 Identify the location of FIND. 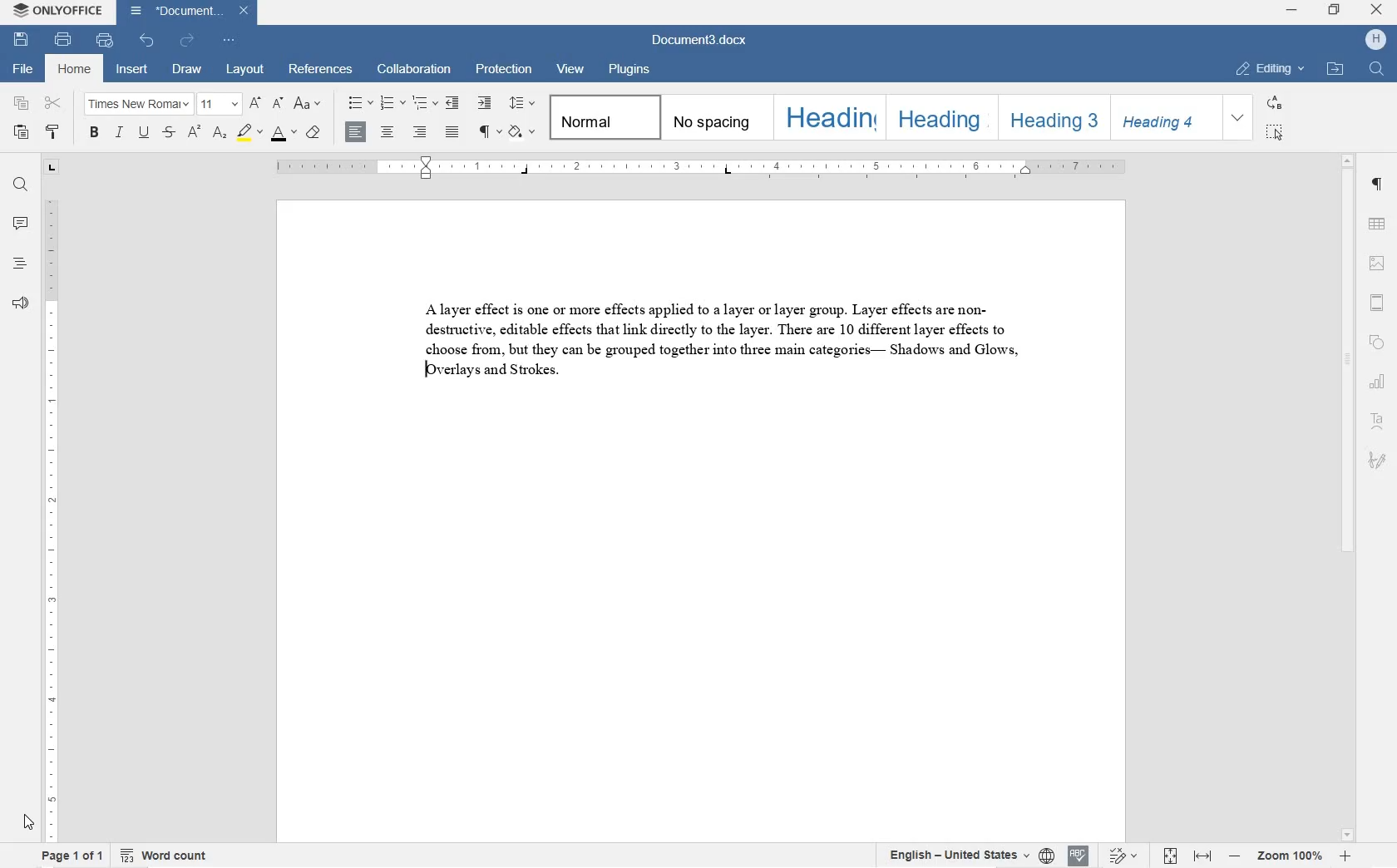
(1377, 72).